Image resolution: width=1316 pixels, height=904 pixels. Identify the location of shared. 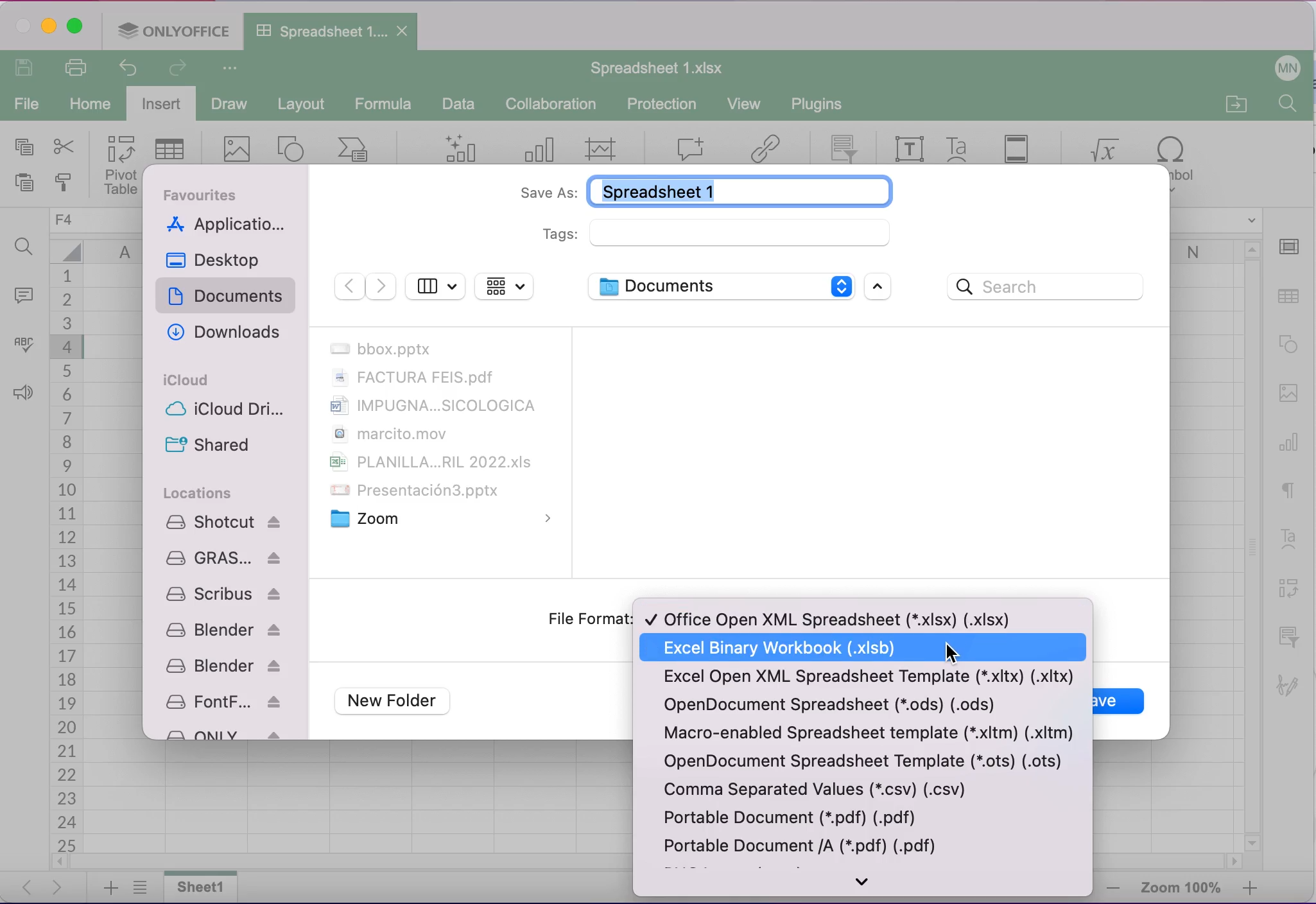
(207, 445).